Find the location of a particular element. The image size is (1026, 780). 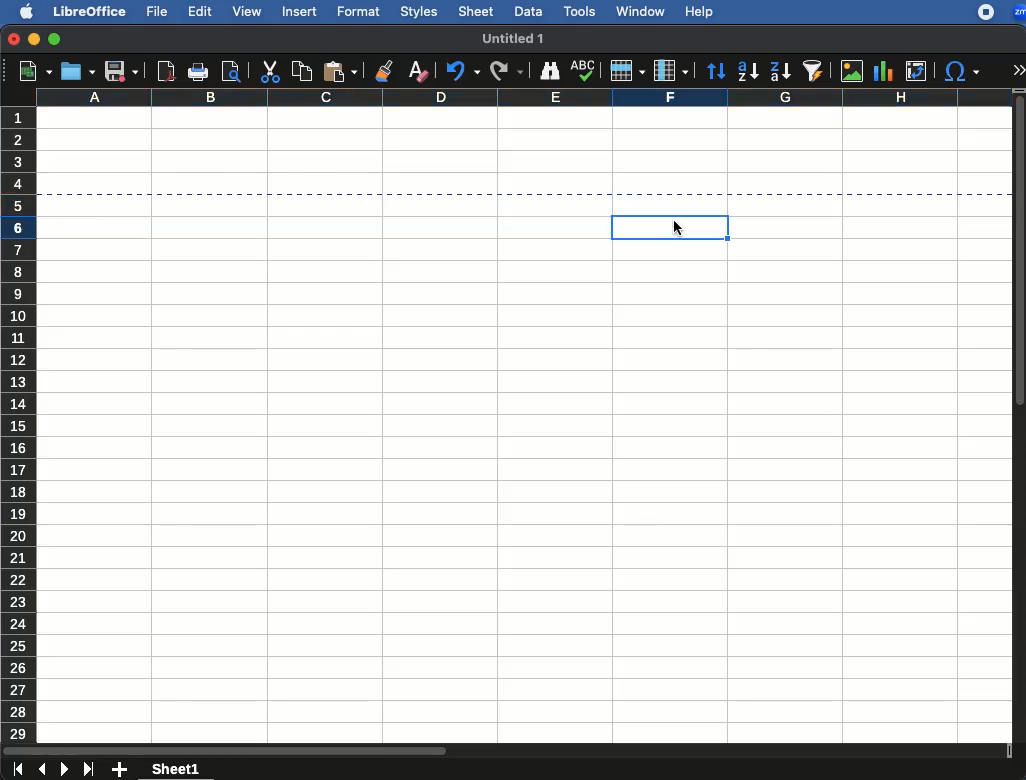

autofilter is located at coordinates (816, 72).